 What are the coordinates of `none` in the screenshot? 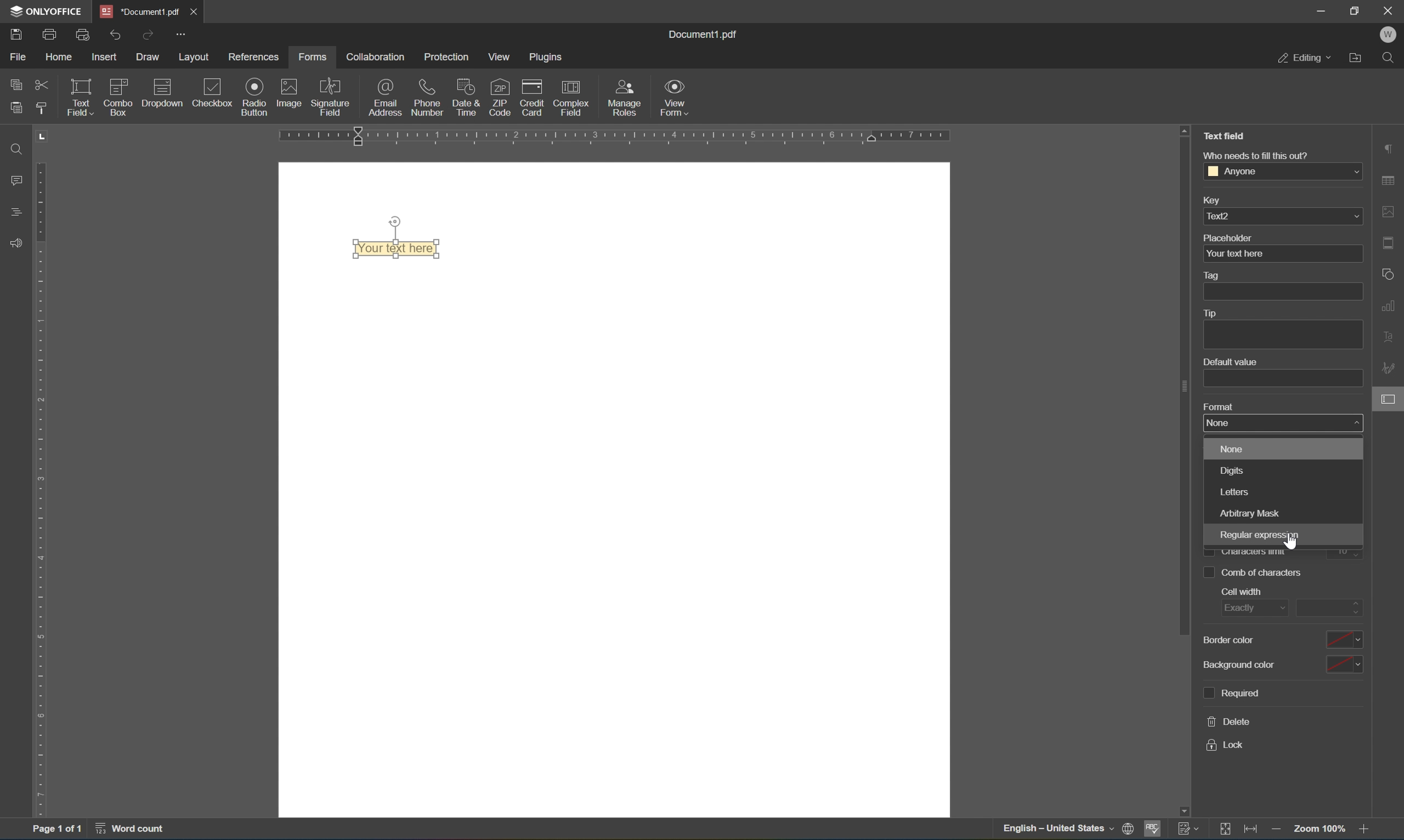 It's located at (1236, 448).